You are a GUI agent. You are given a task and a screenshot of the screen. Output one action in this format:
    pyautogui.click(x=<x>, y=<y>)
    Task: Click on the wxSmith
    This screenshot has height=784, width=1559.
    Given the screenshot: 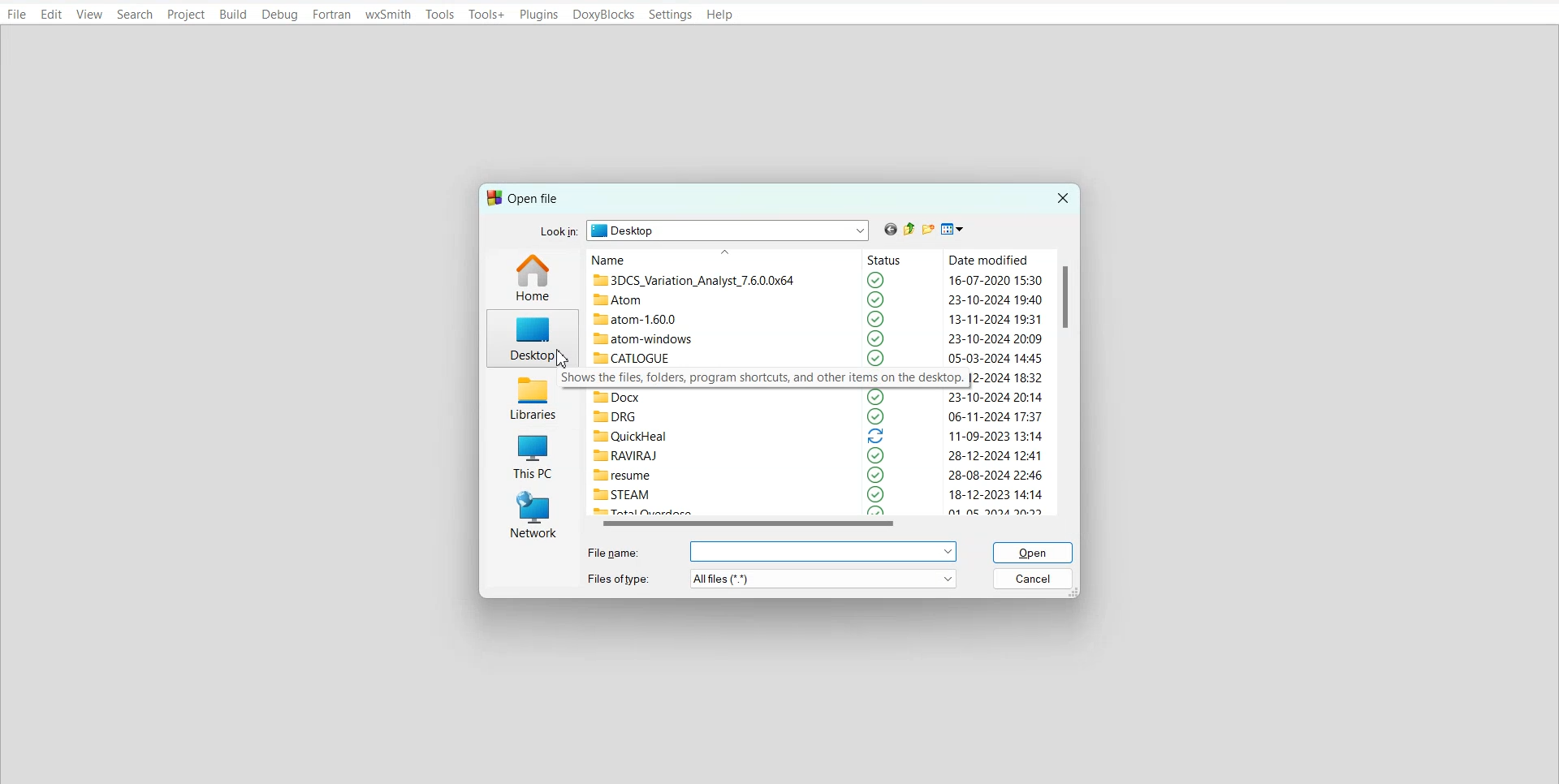 What is the action you would take?
    pyautogui.click(x=389, y=14)
    